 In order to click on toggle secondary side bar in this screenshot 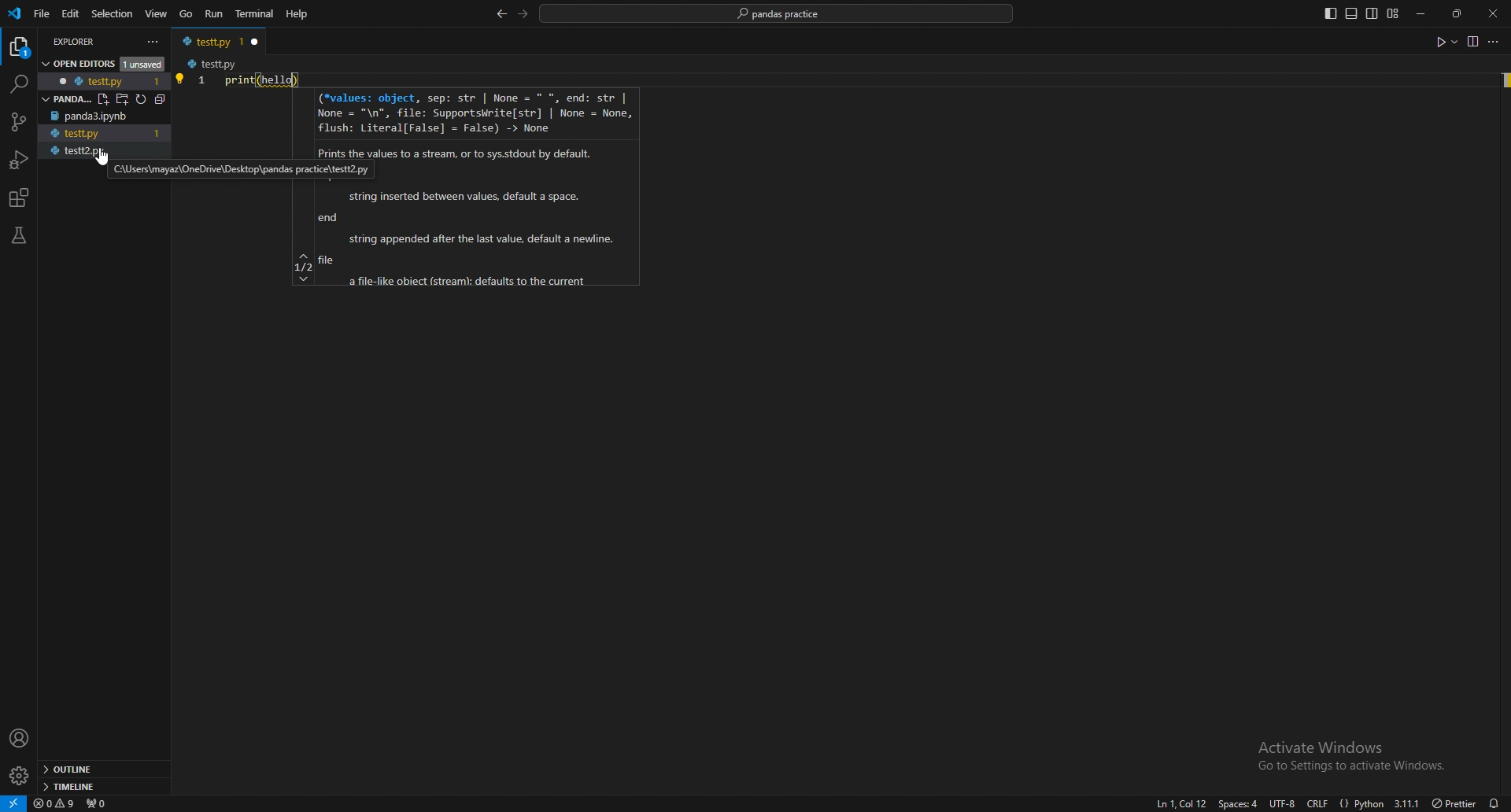, I will do `click(1372, 13)`.